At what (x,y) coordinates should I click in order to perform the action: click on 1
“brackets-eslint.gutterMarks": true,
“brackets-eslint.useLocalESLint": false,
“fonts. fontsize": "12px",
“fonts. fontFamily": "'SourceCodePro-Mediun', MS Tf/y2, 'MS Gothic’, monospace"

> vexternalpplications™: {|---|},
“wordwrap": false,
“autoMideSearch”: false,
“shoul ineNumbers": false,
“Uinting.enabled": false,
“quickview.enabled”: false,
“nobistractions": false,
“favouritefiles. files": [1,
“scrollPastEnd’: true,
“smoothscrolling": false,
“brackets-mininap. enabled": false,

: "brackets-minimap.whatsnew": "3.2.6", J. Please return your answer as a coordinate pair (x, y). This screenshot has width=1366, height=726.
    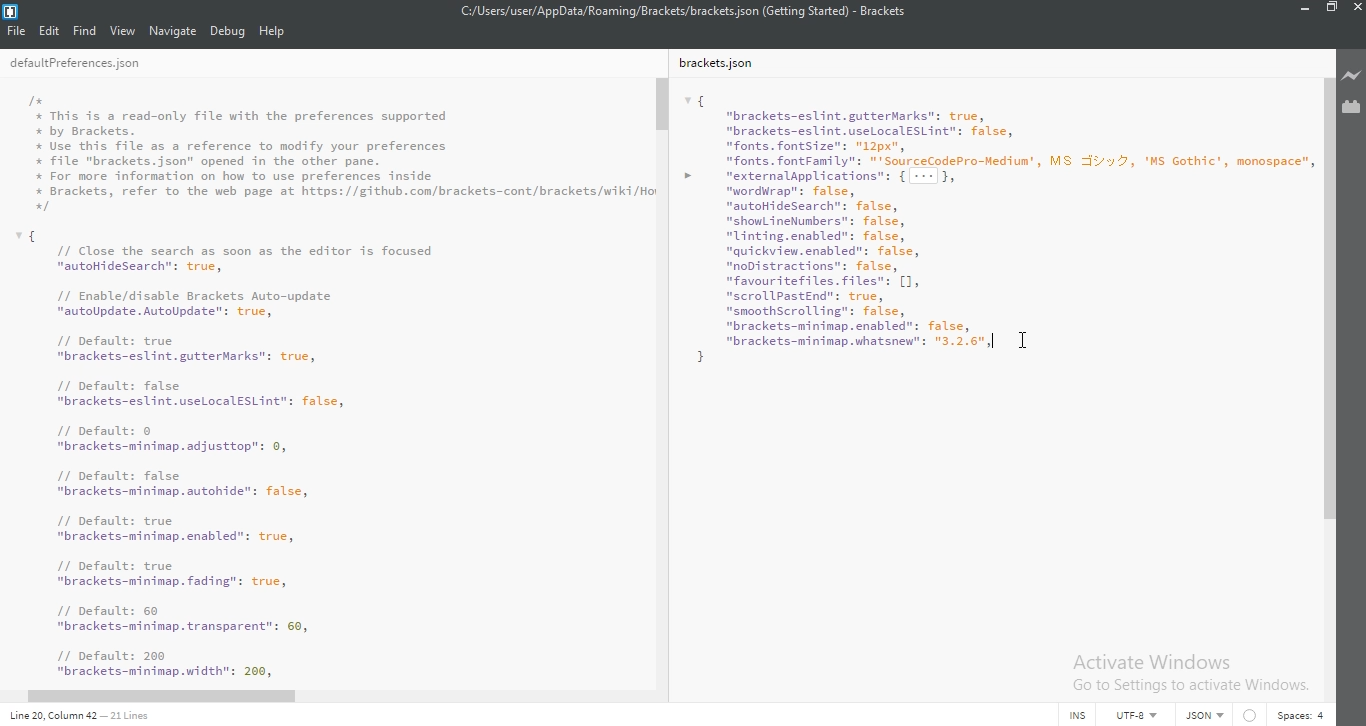
    Looking at the image, I should click on (995, 235).